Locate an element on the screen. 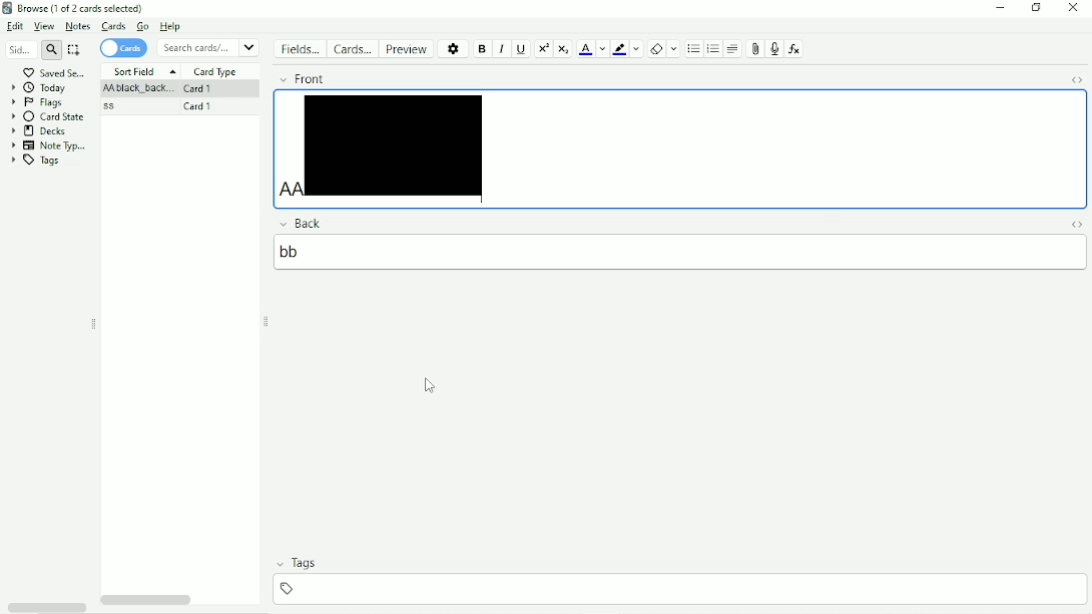 The image size is (1092, 614). Card State is located at coordinates (48, 116).